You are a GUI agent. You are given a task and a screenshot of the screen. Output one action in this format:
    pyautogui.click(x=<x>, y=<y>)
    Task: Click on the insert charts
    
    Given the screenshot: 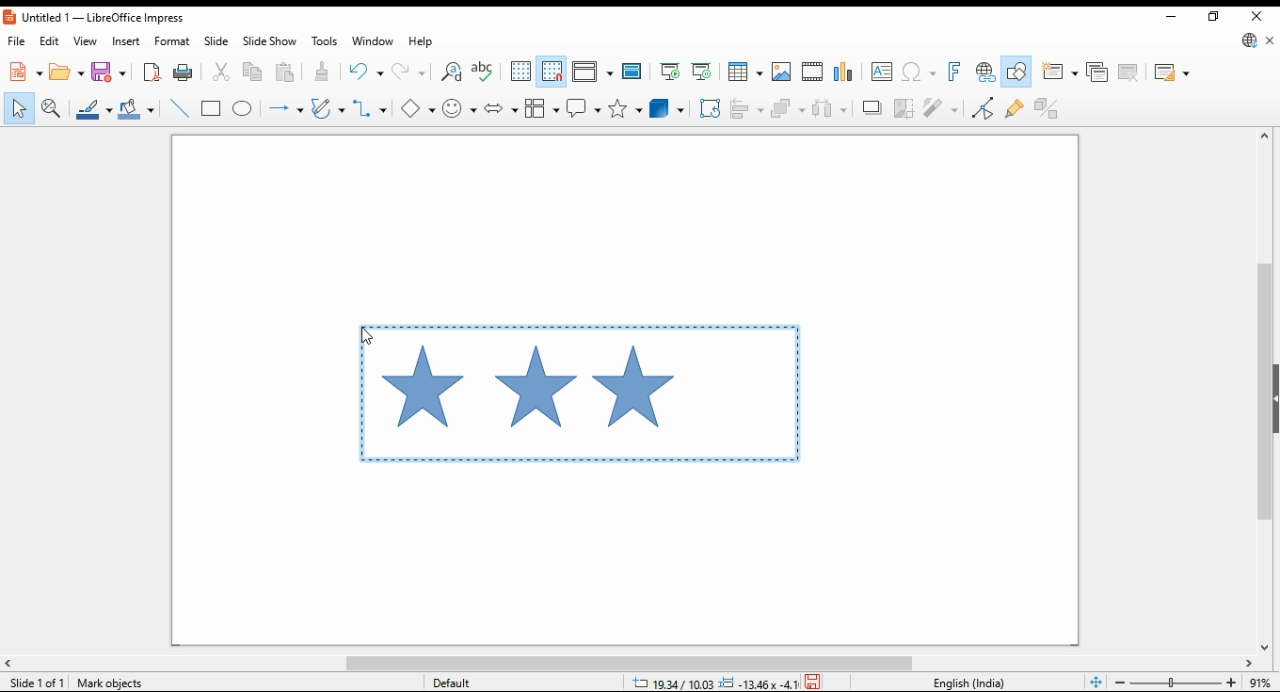 What is the action you would take?
    pyautogui.click(x=844, y=72)
    